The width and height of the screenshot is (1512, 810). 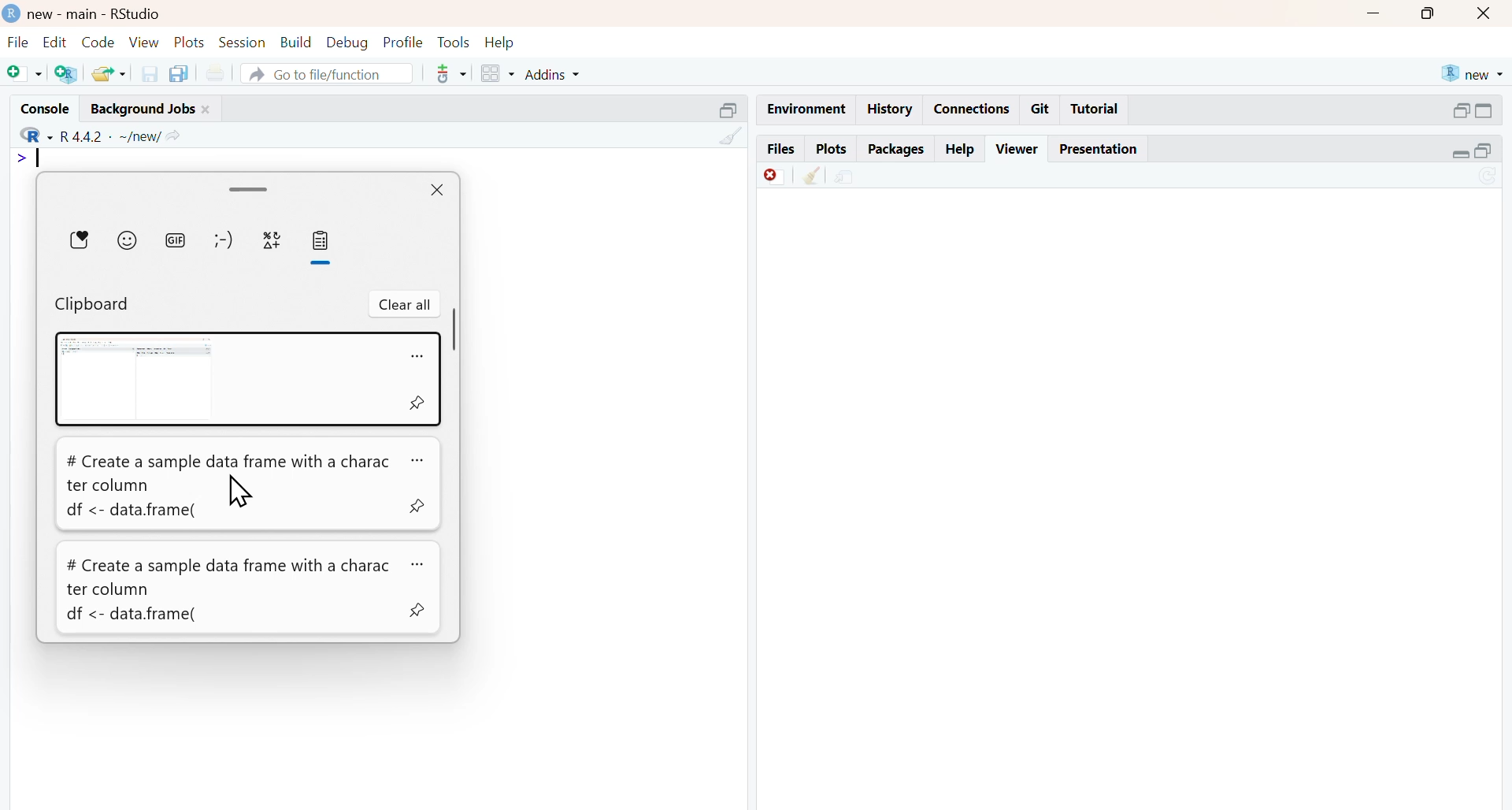 I want to click on symbols, so click(x=272, y=240).